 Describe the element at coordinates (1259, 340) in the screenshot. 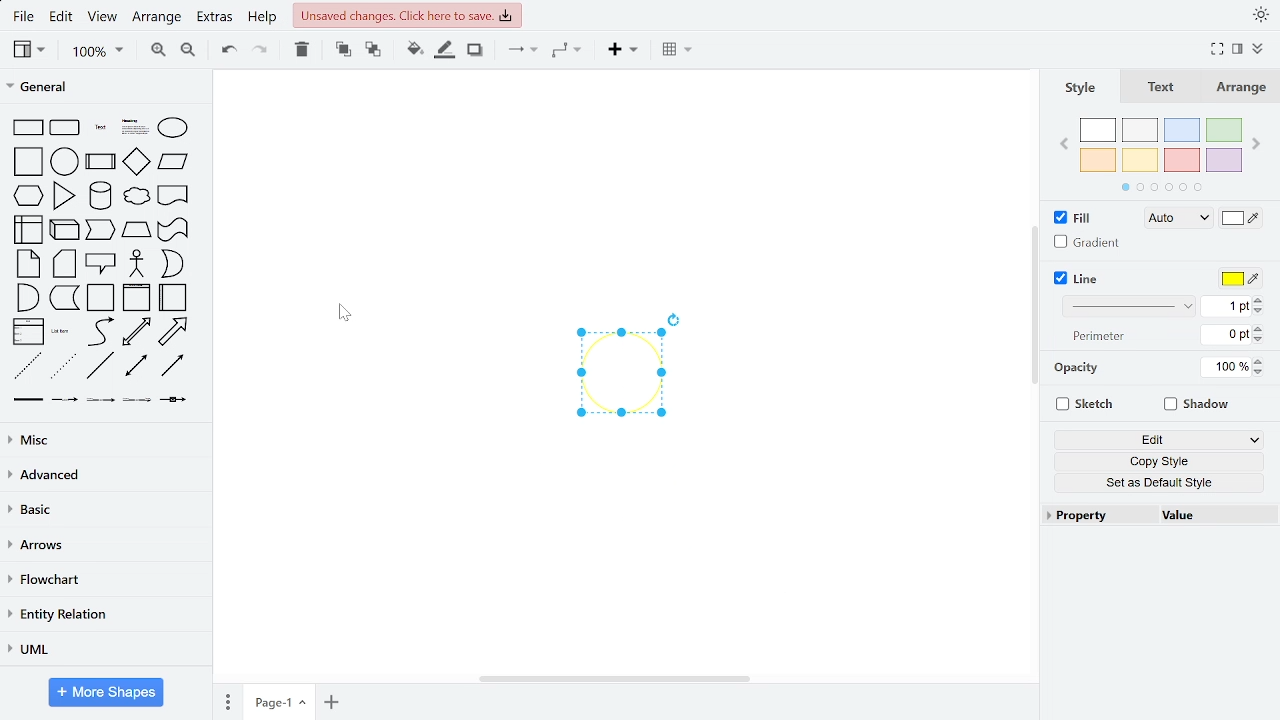

I see `decrease perimeter` at that location.